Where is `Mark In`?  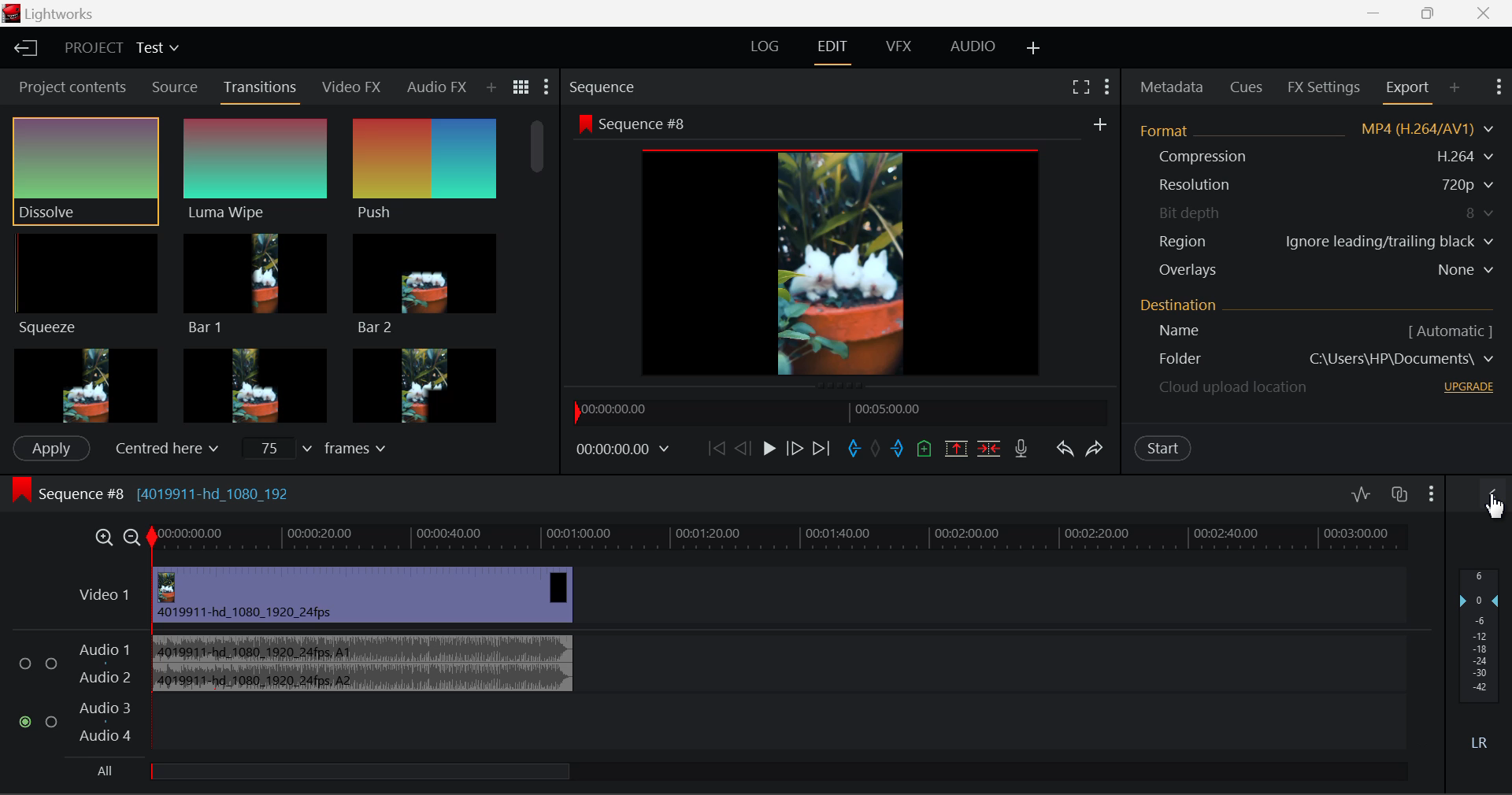 Mark In is located at coordinates (854, 452).